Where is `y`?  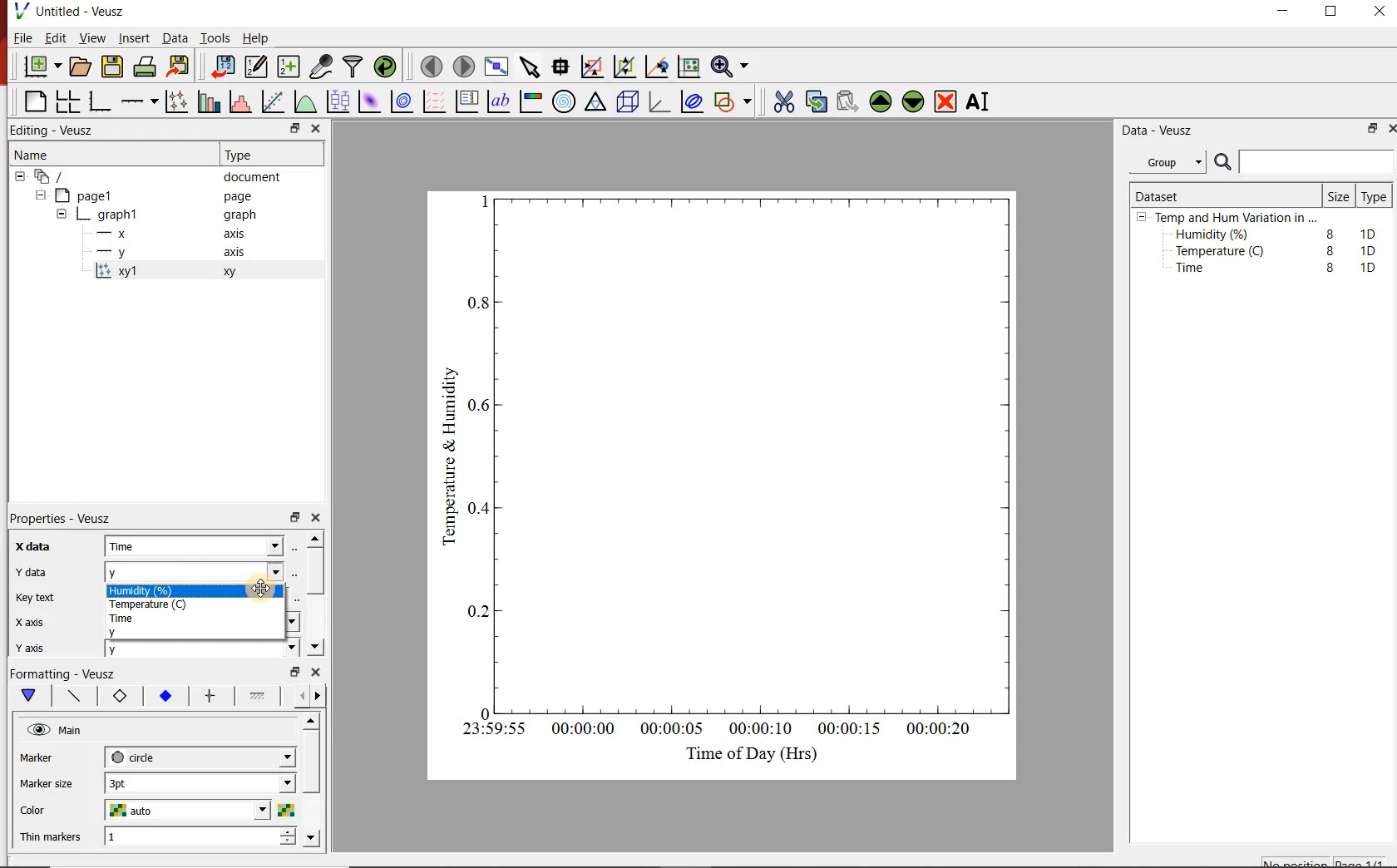 y is located at coordinates (136, 652).